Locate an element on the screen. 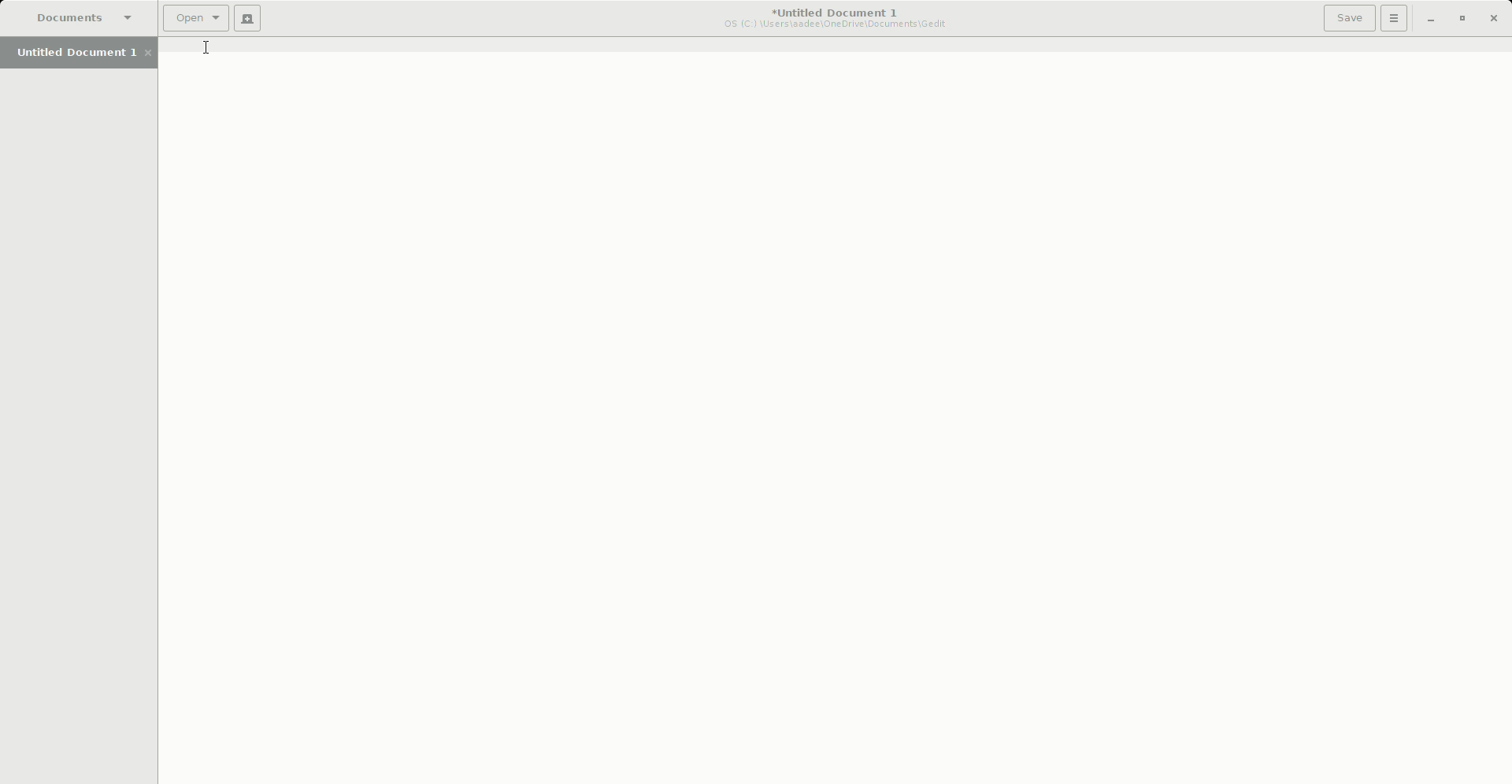 The width and height of the screenshot is (1512, 784). New is located at coordinates (248, 19).